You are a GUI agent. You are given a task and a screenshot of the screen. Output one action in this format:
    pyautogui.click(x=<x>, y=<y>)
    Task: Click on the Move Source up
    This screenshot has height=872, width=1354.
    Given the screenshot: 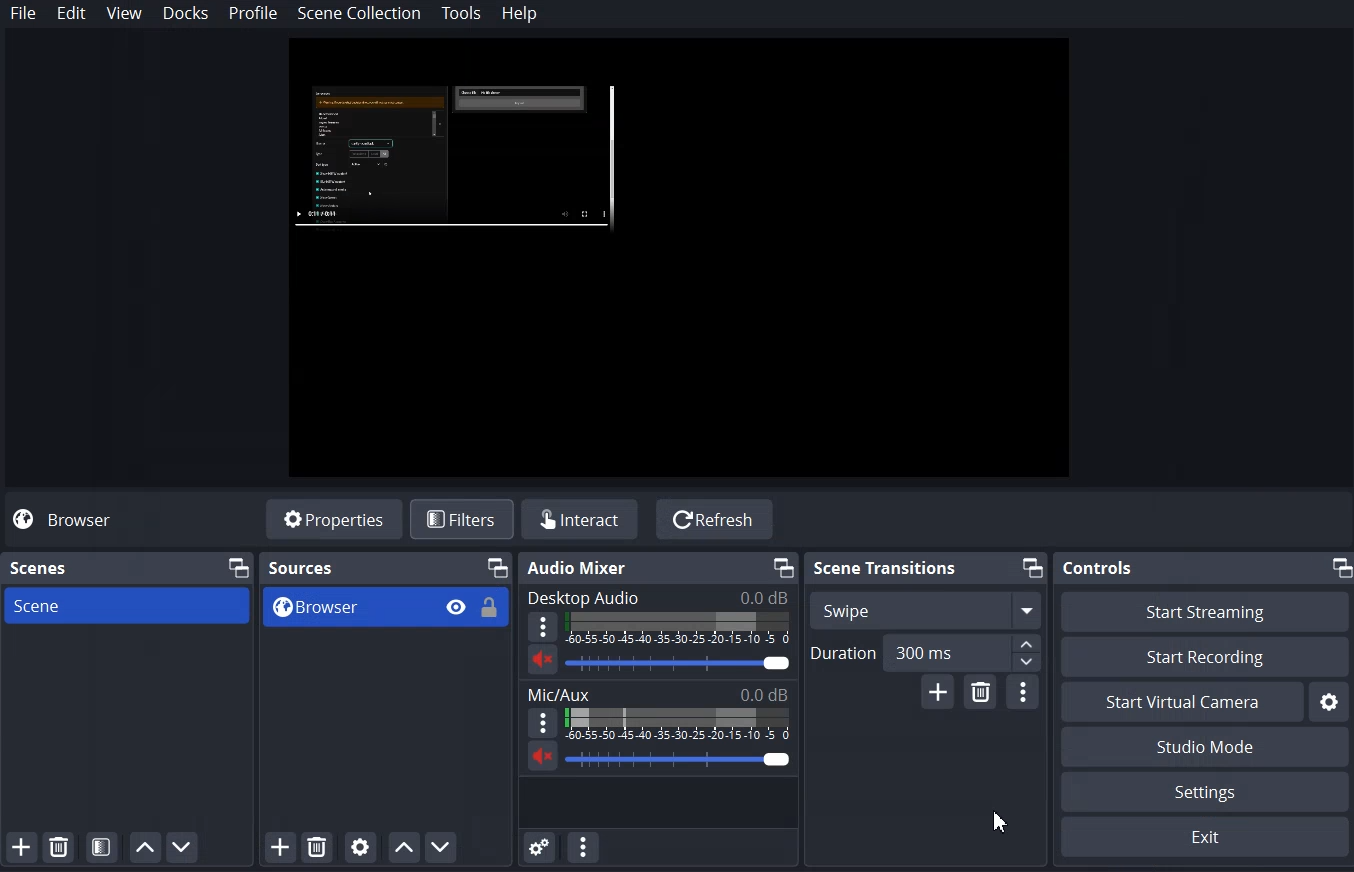 What is the action you would take?
    pyautogui.click(x=404, y=847)
    